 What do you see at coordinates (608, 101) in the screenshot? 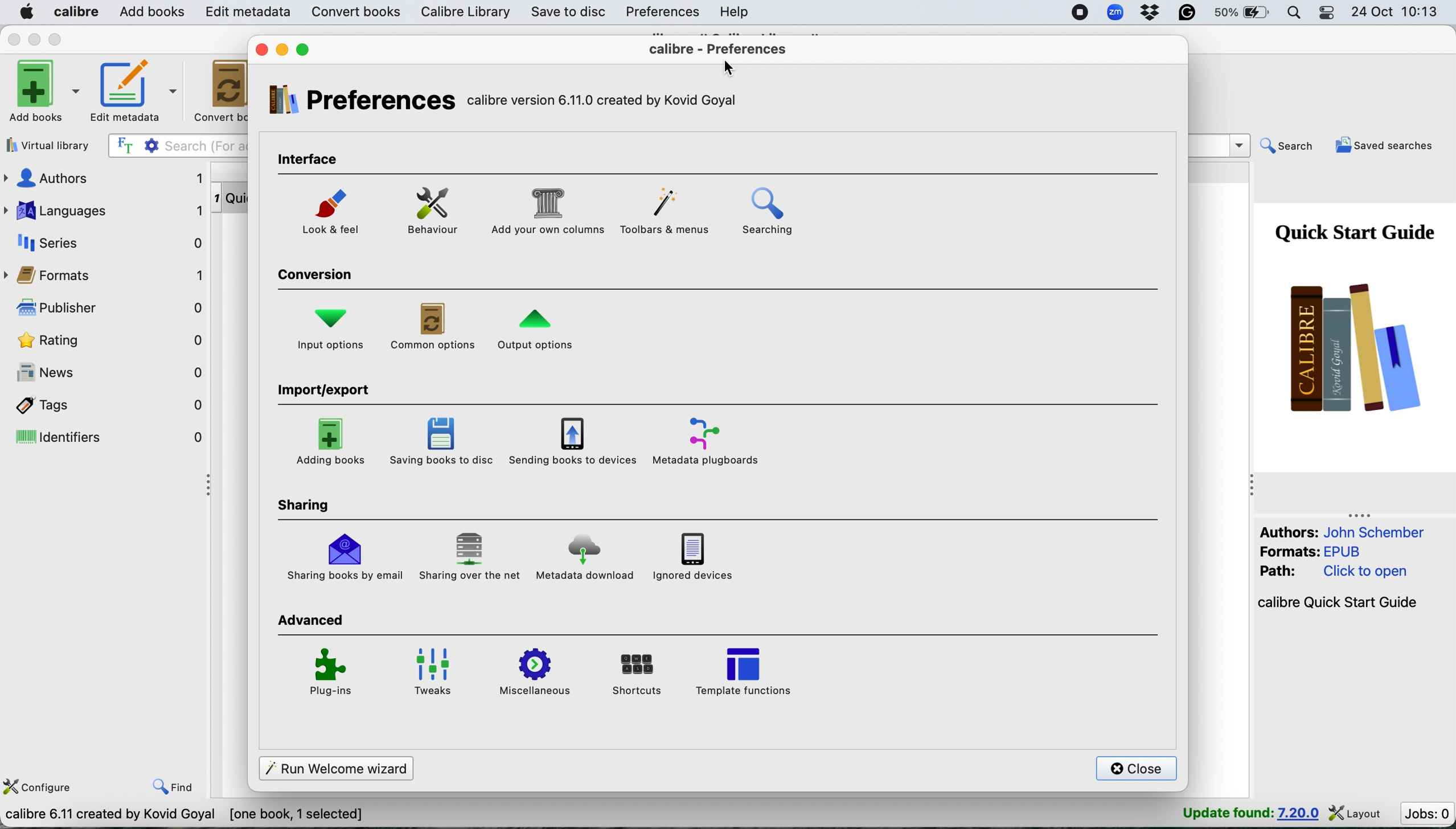
I see `calibre version 6.11.0 created by kovid goyal` at bounding box center [608, 101].